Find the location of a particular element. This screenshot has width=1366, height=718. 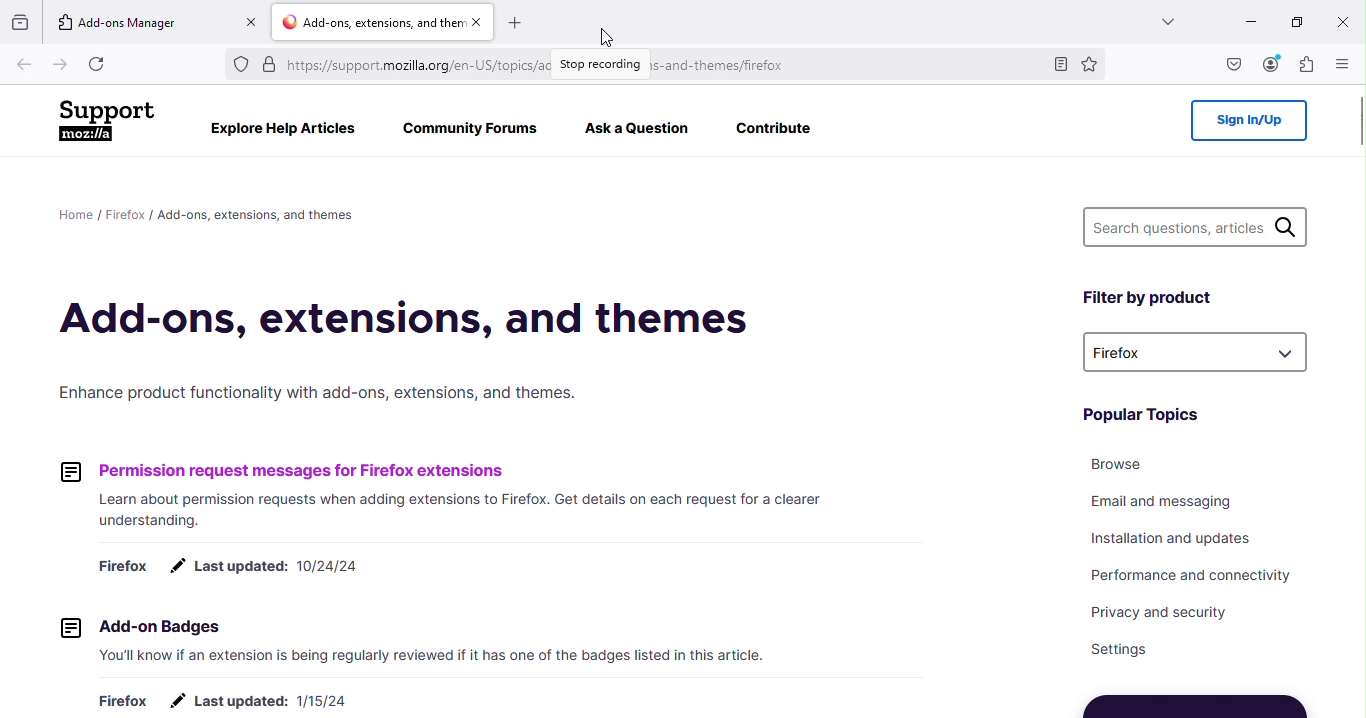

Add-ons, extensions, and themes is located at coordinates (423, 326).